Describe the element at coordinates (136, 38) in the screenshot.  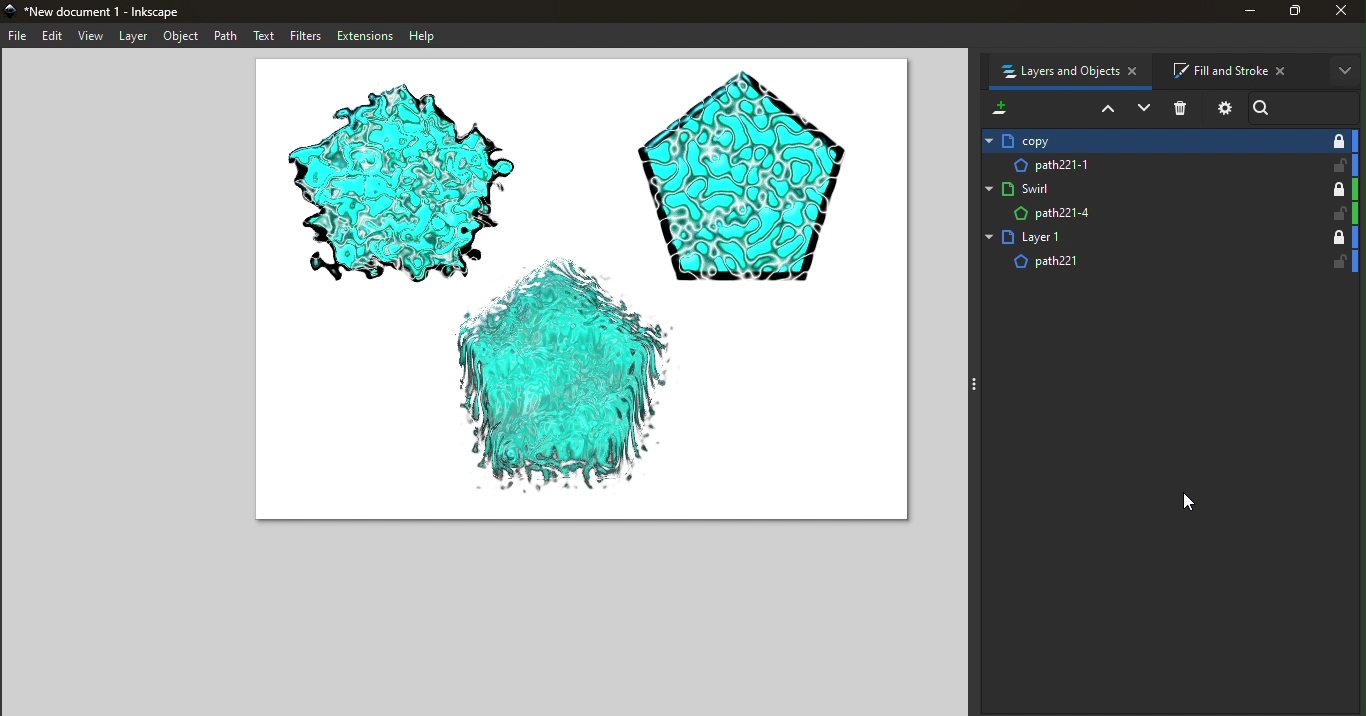
I see `Layer` at that location.